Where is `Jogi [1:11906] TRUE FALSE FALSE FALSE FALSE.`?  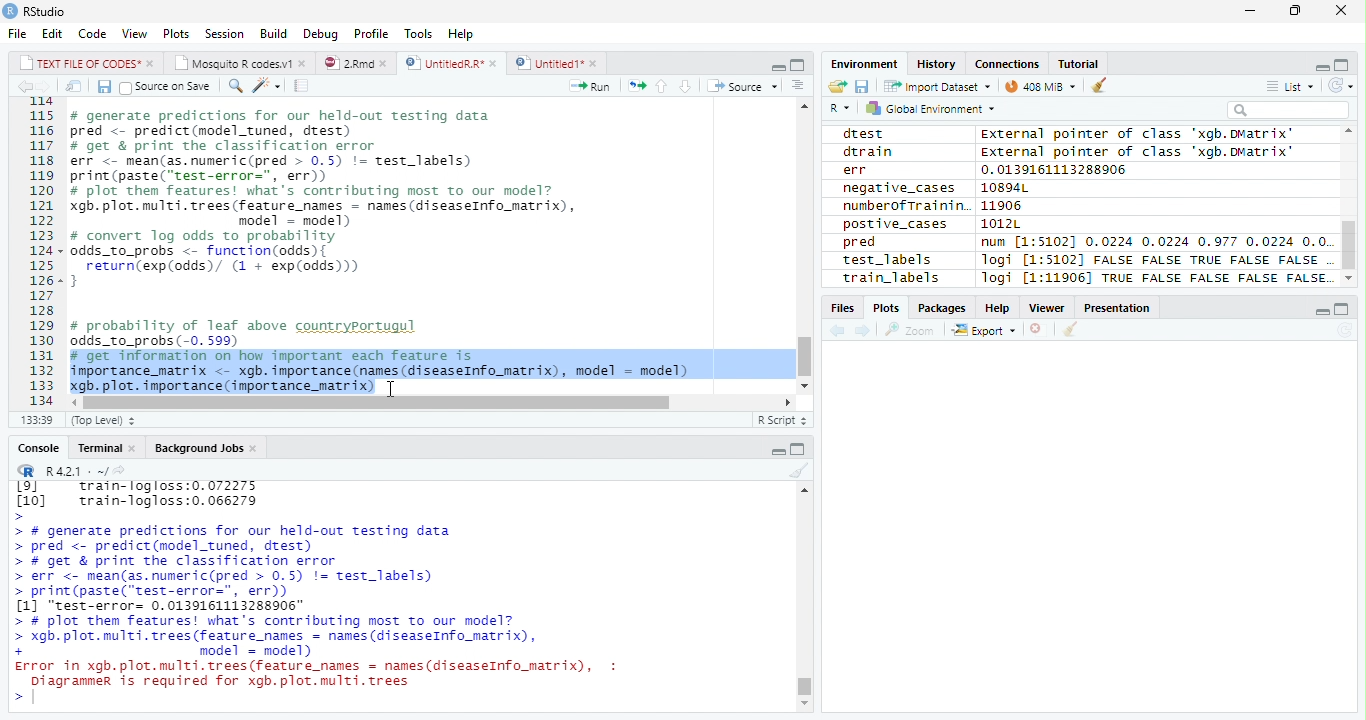 Jogi [1:11906] TRUE FALSE FALSE FALSE FALSE. is located at coordinates (1155, 278).